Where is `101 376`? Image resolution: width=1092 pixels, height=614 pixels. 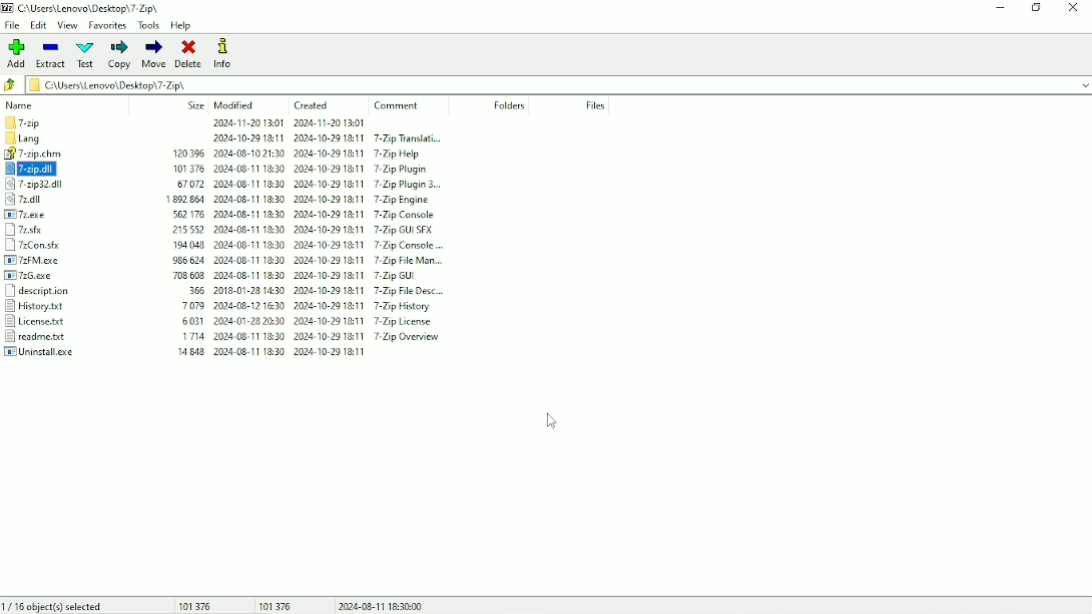 101 376 is located at coordinates (197, 605).